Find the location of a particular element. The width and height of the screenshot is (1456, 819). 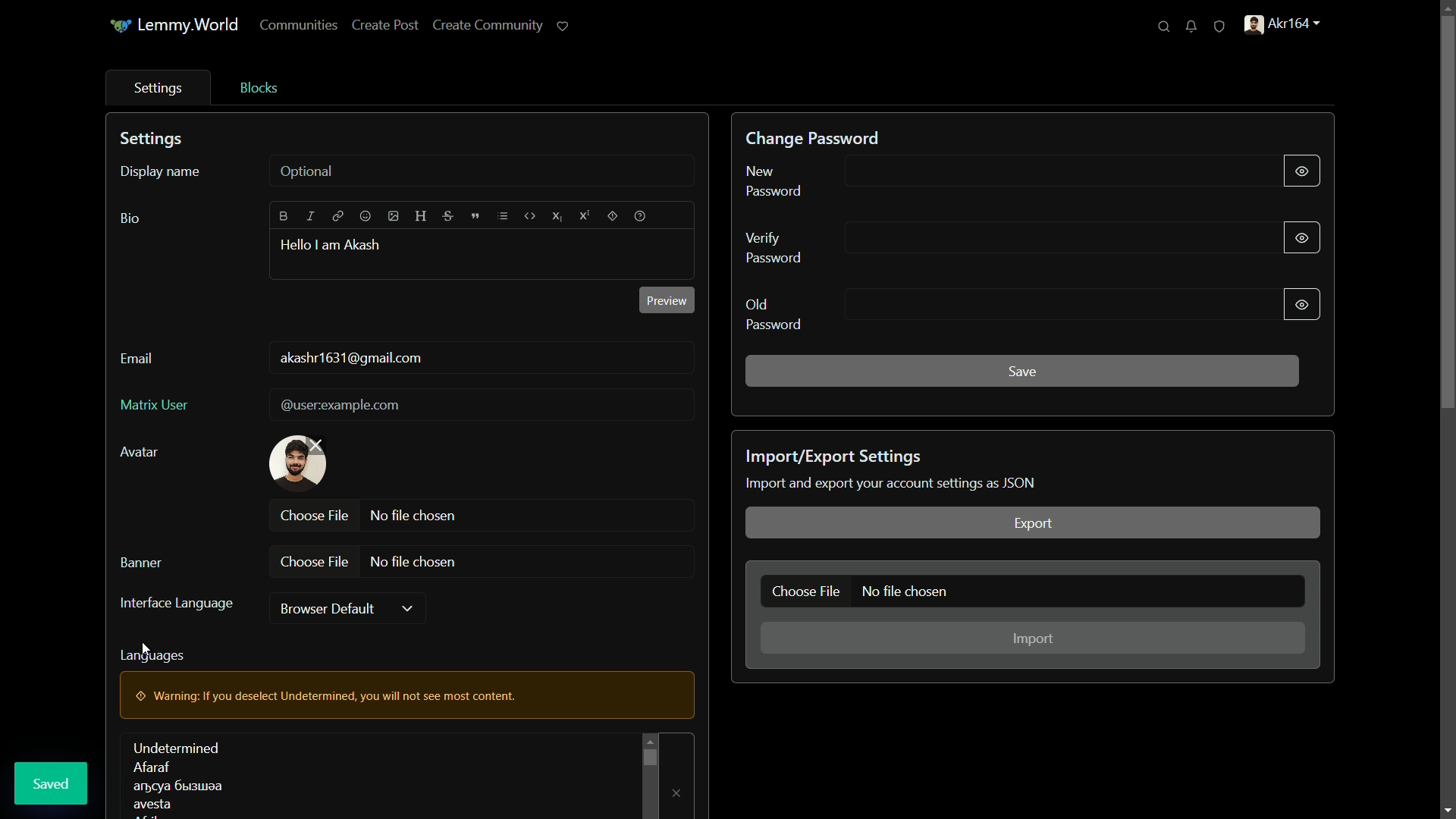

blocks tab is located at coordinates (259, 89).